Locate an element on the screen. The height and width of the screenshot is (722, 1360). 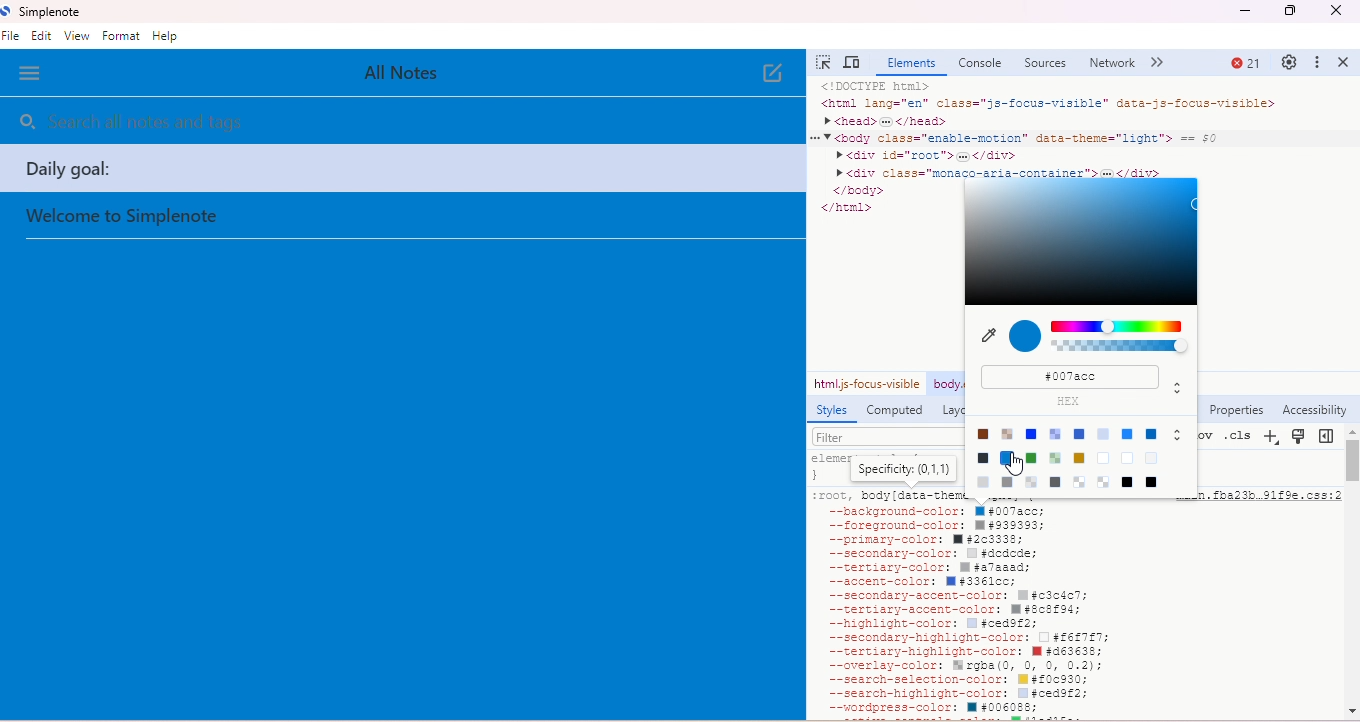
properties is located at coordinates (1236, 410).